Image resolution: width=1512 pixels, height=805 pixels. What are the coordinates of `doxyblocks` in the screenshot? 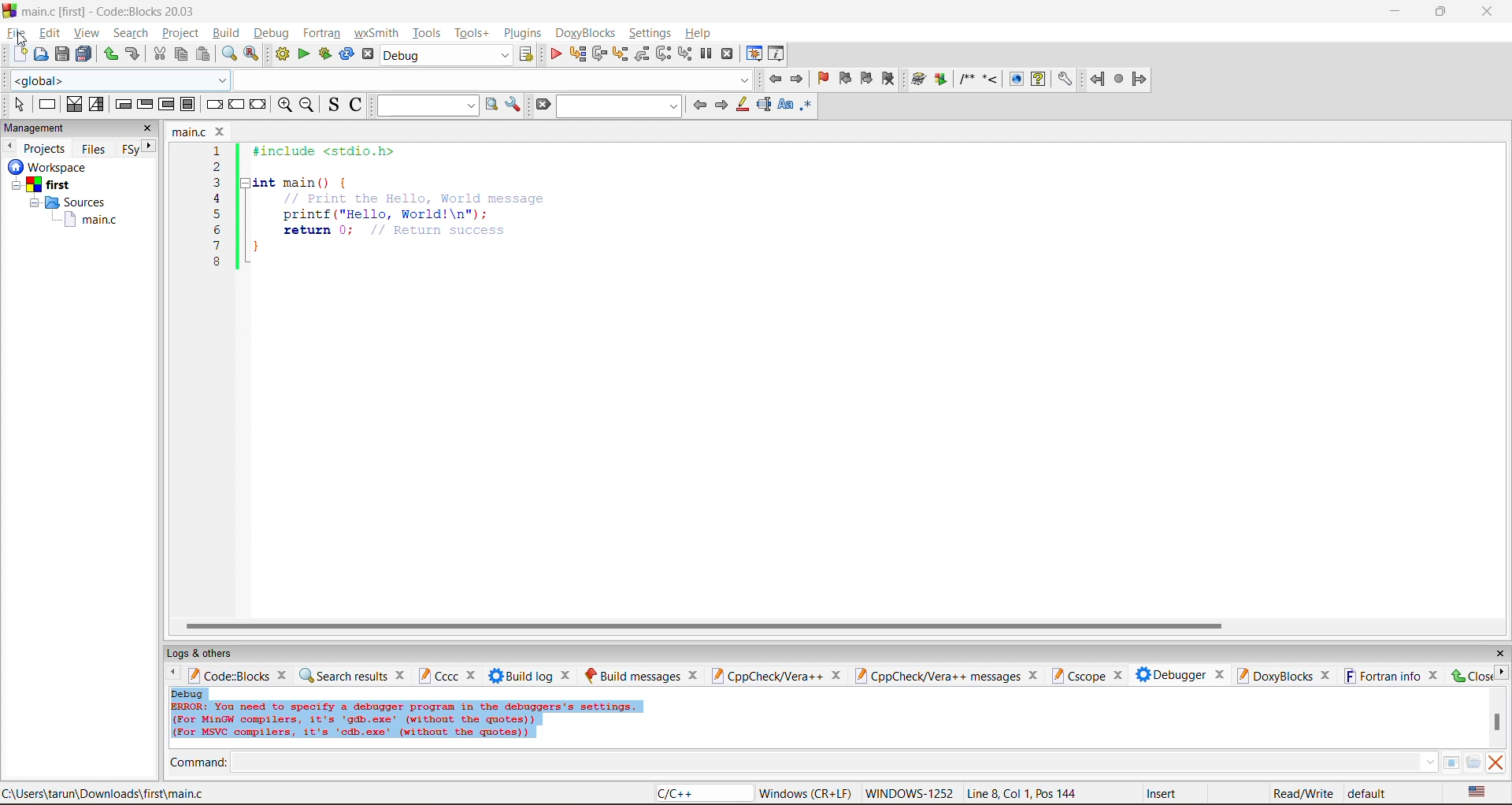 It's located at (588, 33).